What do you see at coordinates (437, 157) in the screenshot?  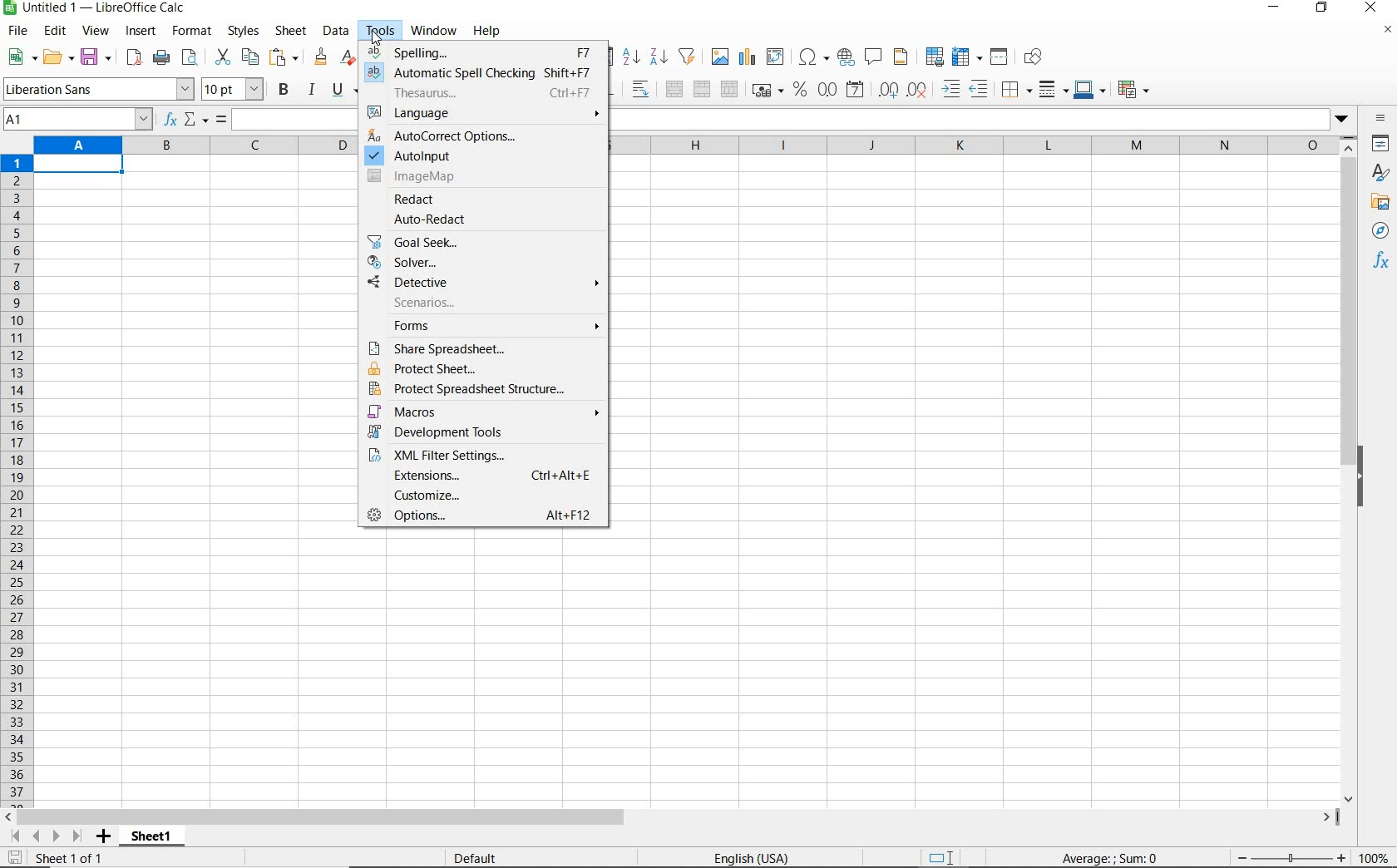 I see `autoinput` at bounding box center [437, 157].